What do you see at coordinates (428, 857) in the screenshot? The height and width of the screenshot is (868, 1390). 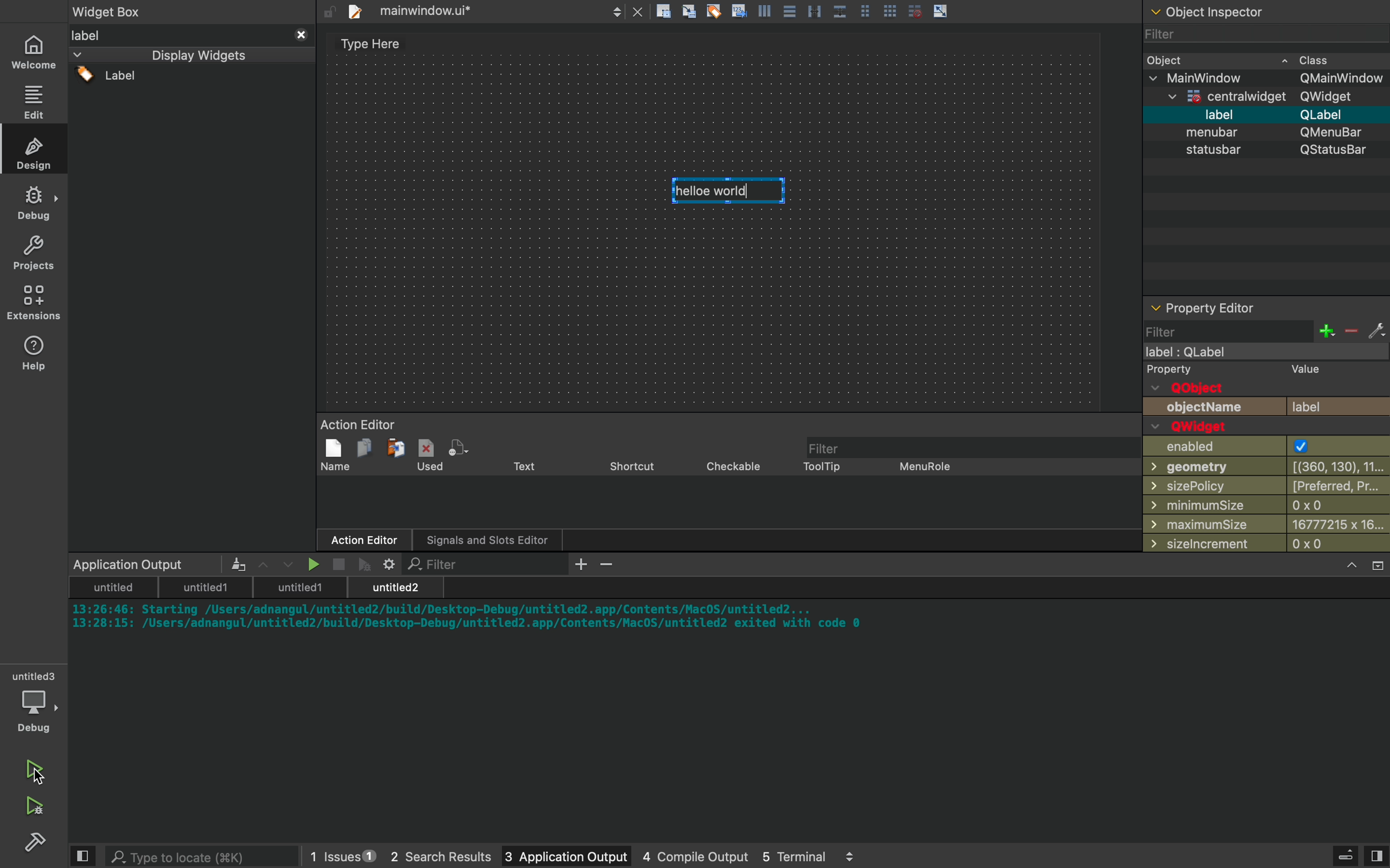 I see `2 search results` at bounding box center [428, 857].